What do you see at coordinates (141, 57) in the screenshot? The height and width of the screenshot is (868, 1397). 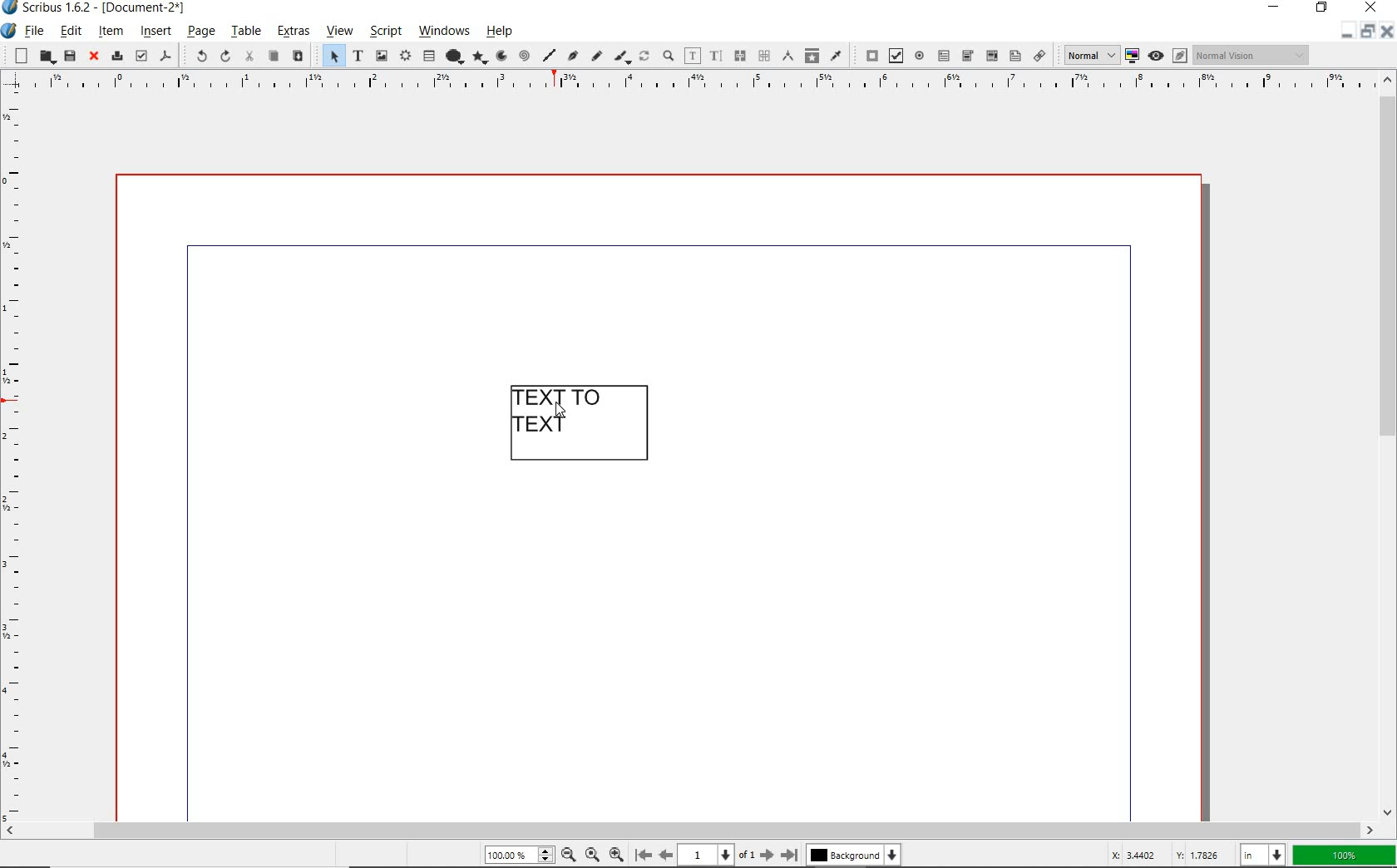 I see `preflight verifier` at bounding box center [141, 57].